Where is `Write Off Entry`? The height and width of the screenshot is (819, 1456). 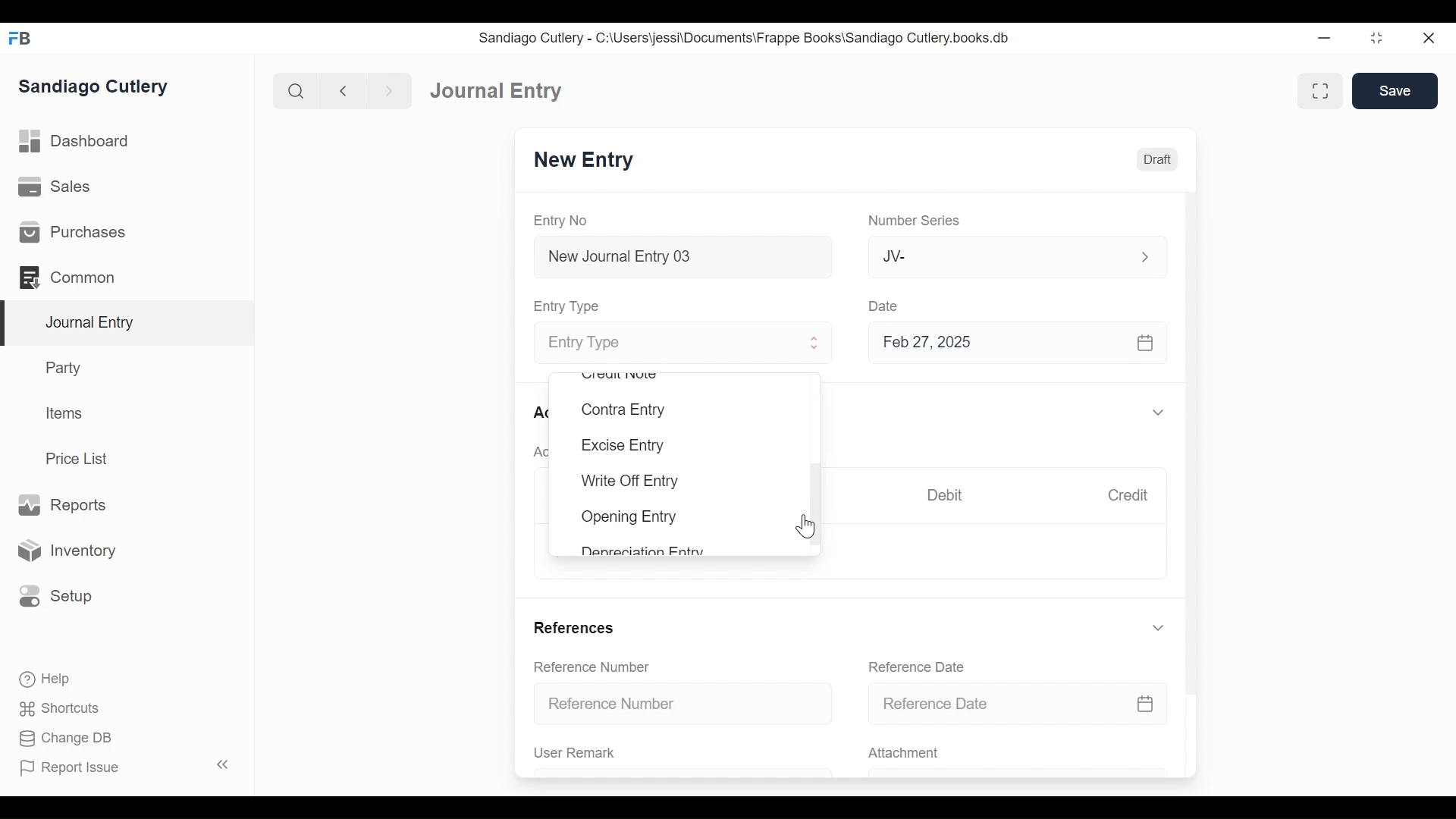 Write Off Entry is located at coordinates (632, 482).